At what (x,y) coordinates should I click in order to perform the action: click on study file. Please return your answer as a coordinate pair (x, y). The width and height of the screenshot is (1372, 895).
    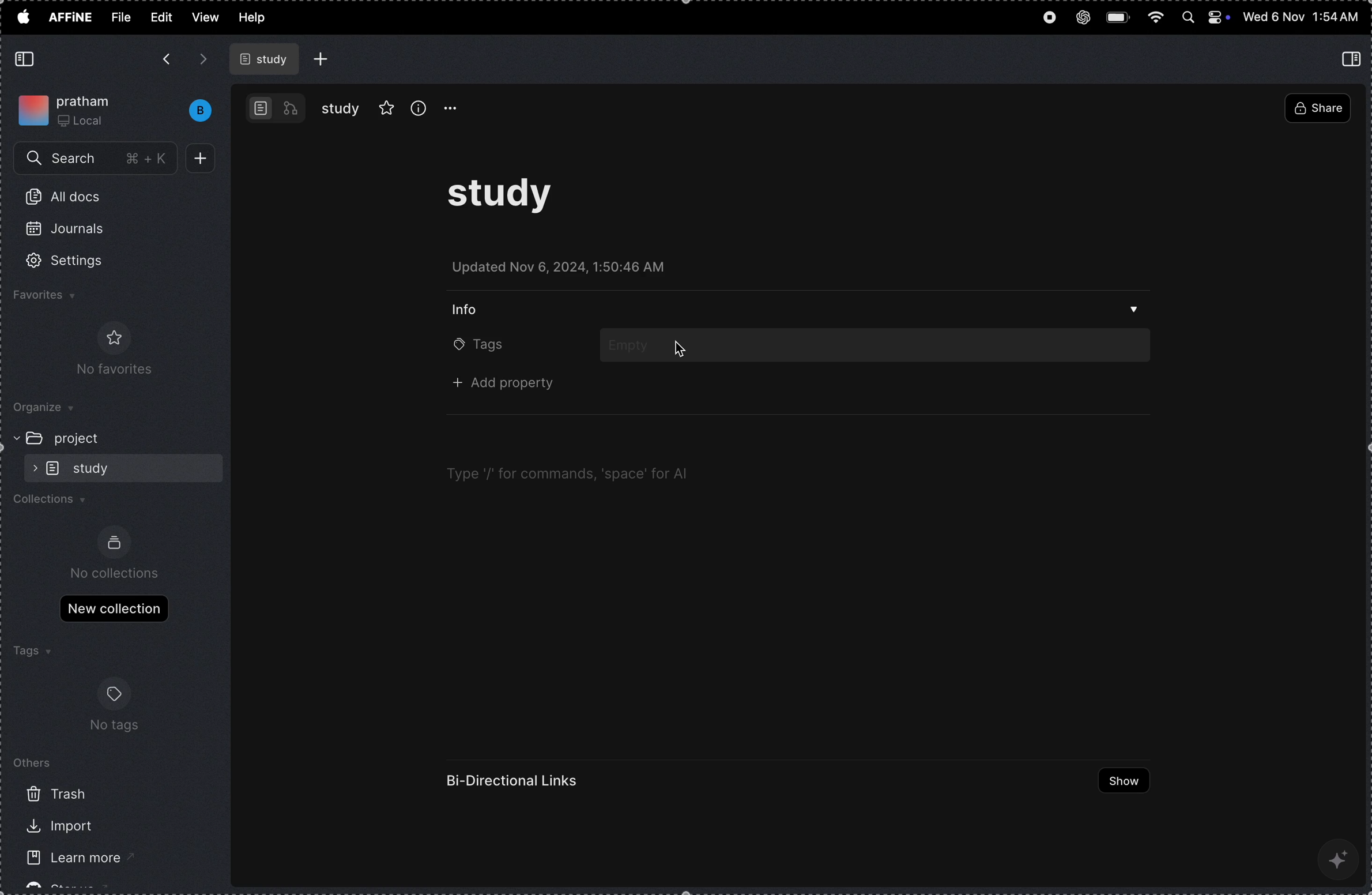
    Looking at the image, I should click on (266, 59).